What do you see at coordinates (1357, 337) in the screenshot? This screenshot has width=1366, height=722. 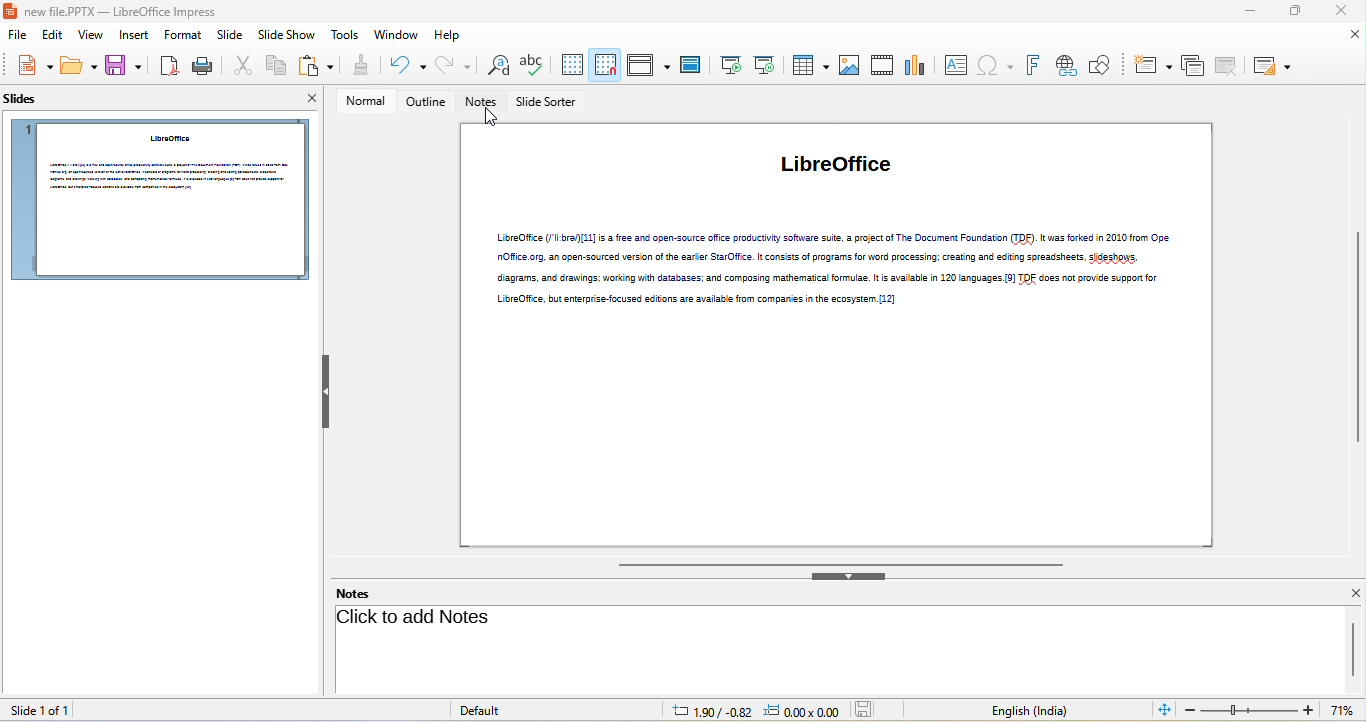 I see `vertical scroll bar` at bounding box center [1357, 337].